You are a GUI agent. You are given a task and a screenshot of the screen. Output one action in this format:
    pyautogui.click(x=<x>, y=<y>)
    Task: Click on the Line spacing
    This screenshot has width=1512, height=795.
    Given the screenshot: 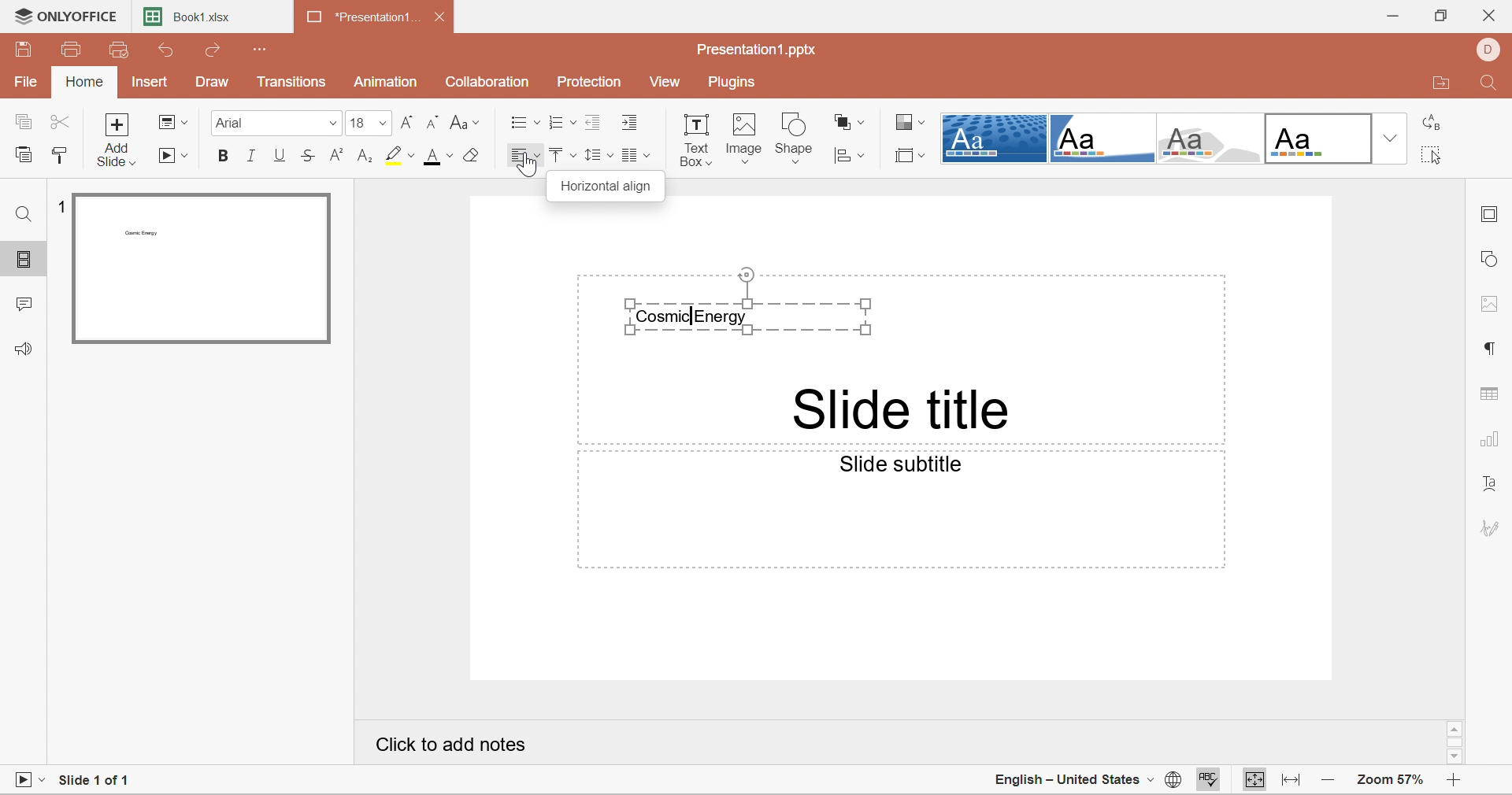 What is the action you would take?
    pyautogui.click(x=596, y=156)
    